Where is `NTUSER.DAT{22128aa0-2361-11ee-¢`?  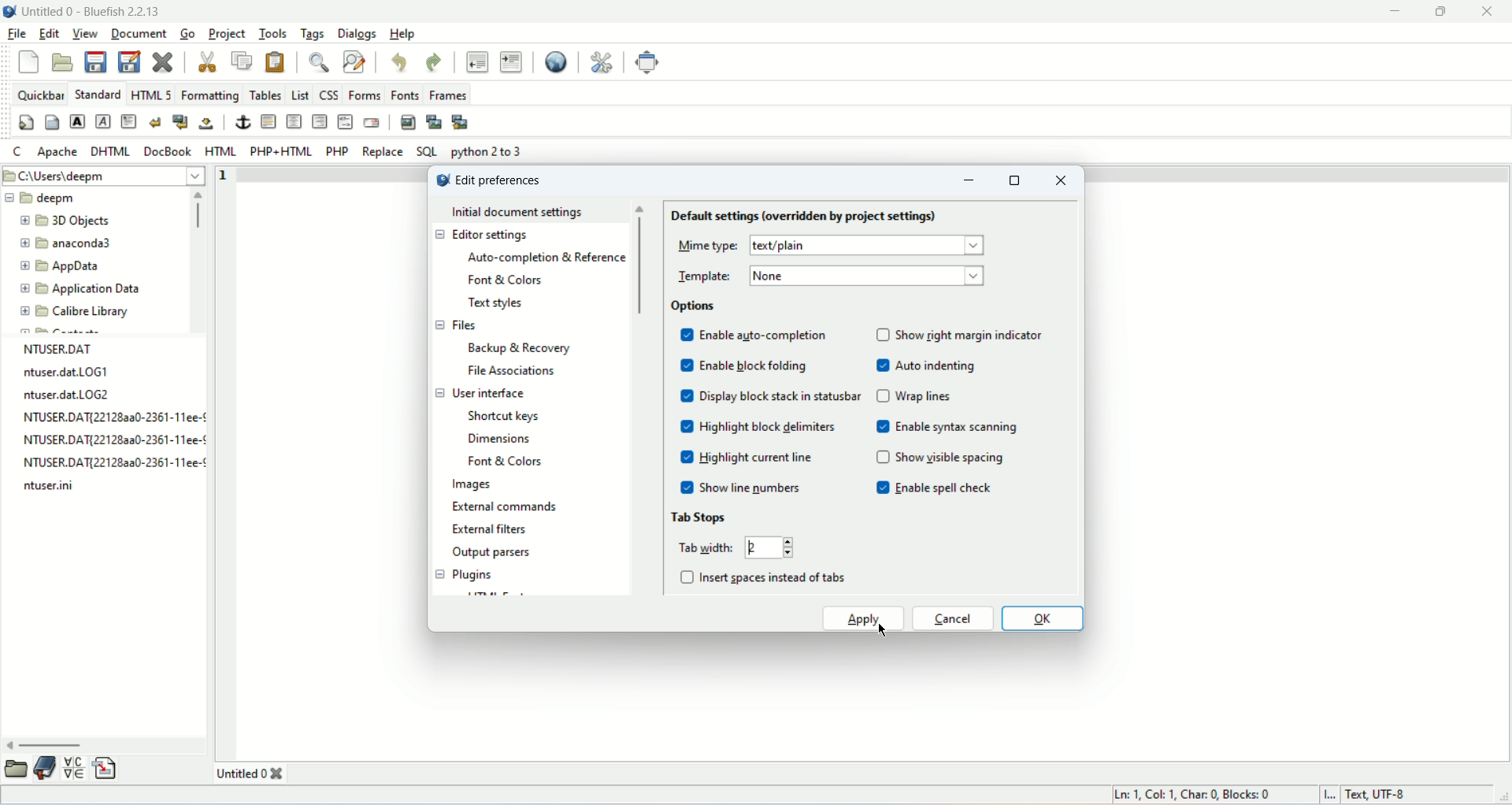 NTUSER.DAT{22128aa0-2361-11ee-¢ is located at coordinates (109, 440).